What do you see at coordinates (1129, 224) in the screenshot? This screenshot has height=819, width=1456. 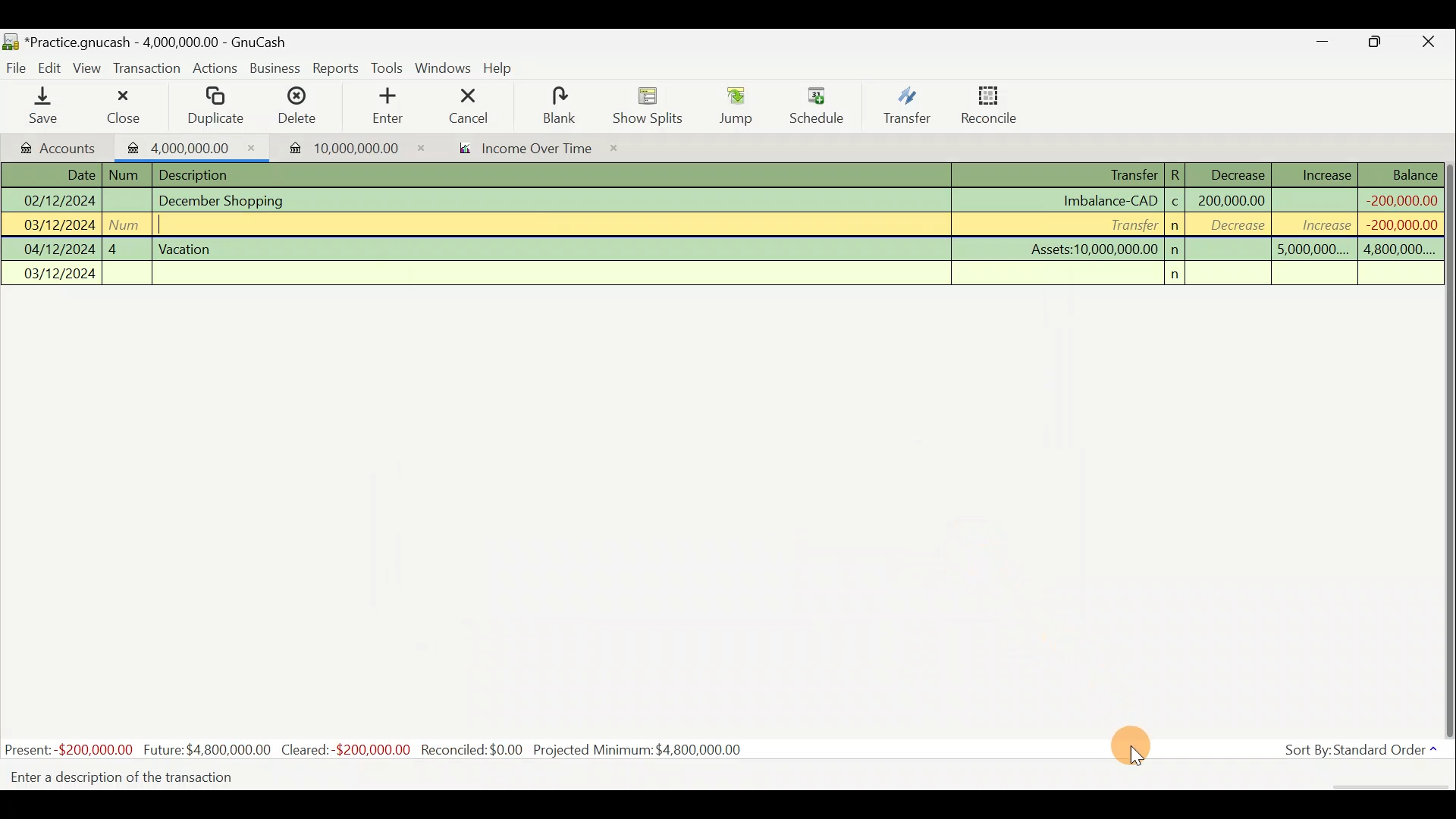 I see `Transfer` at bounding box center [1129, 224].